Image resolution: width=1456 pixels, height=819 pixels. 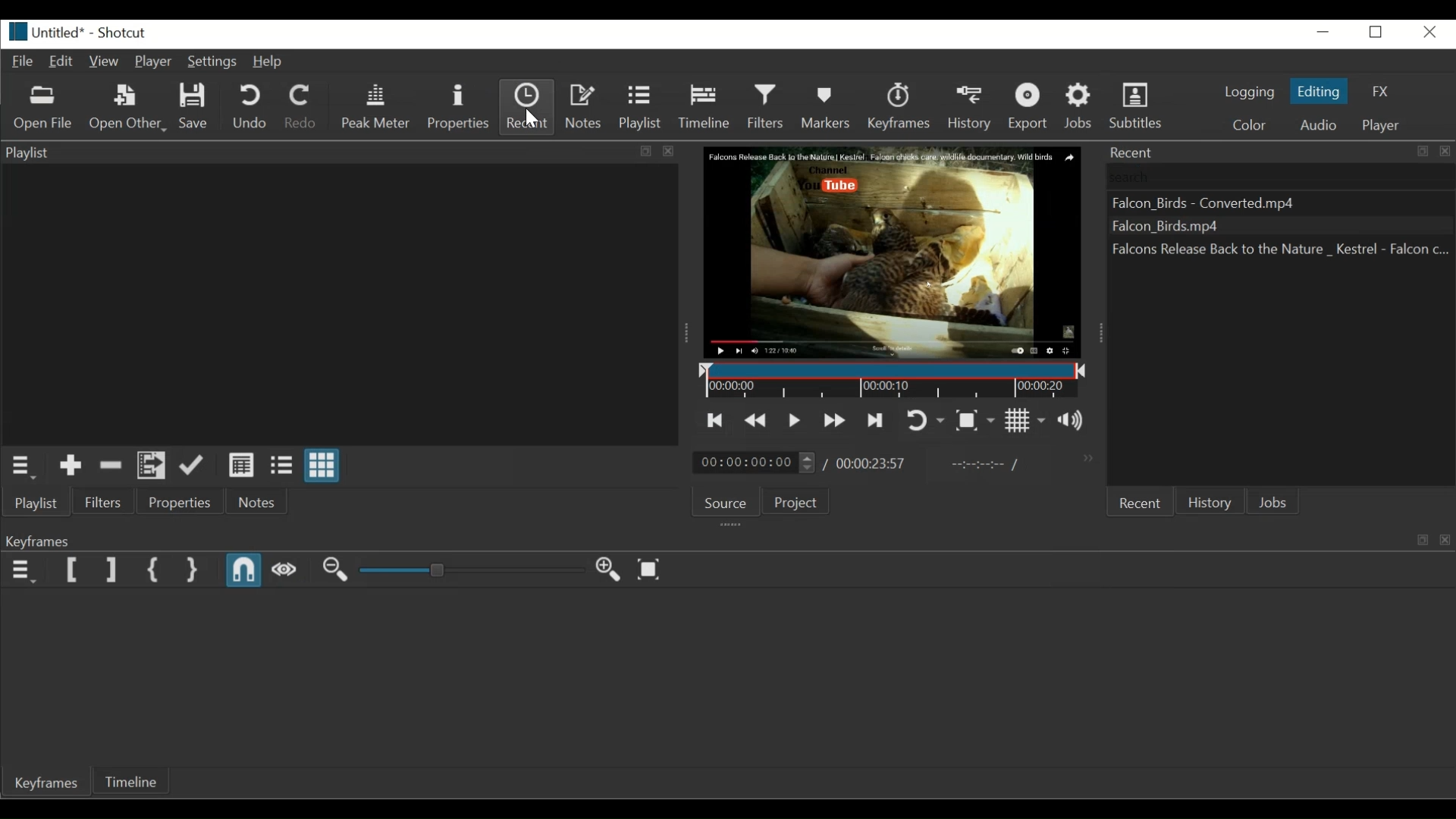 I want to click on Scrub while dragging, so click(x=285, y=570).